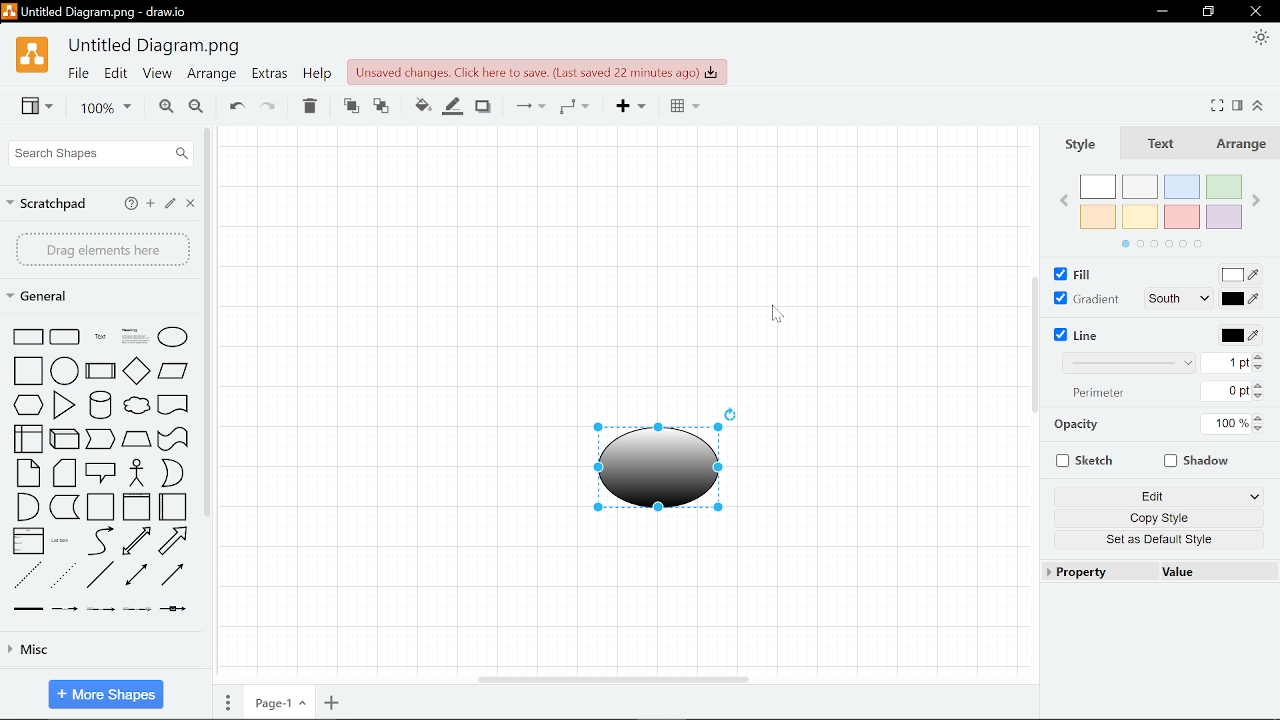  Describe the element at coordinates (1161, 12) in the screenshot. I see `Minimize` at that location.